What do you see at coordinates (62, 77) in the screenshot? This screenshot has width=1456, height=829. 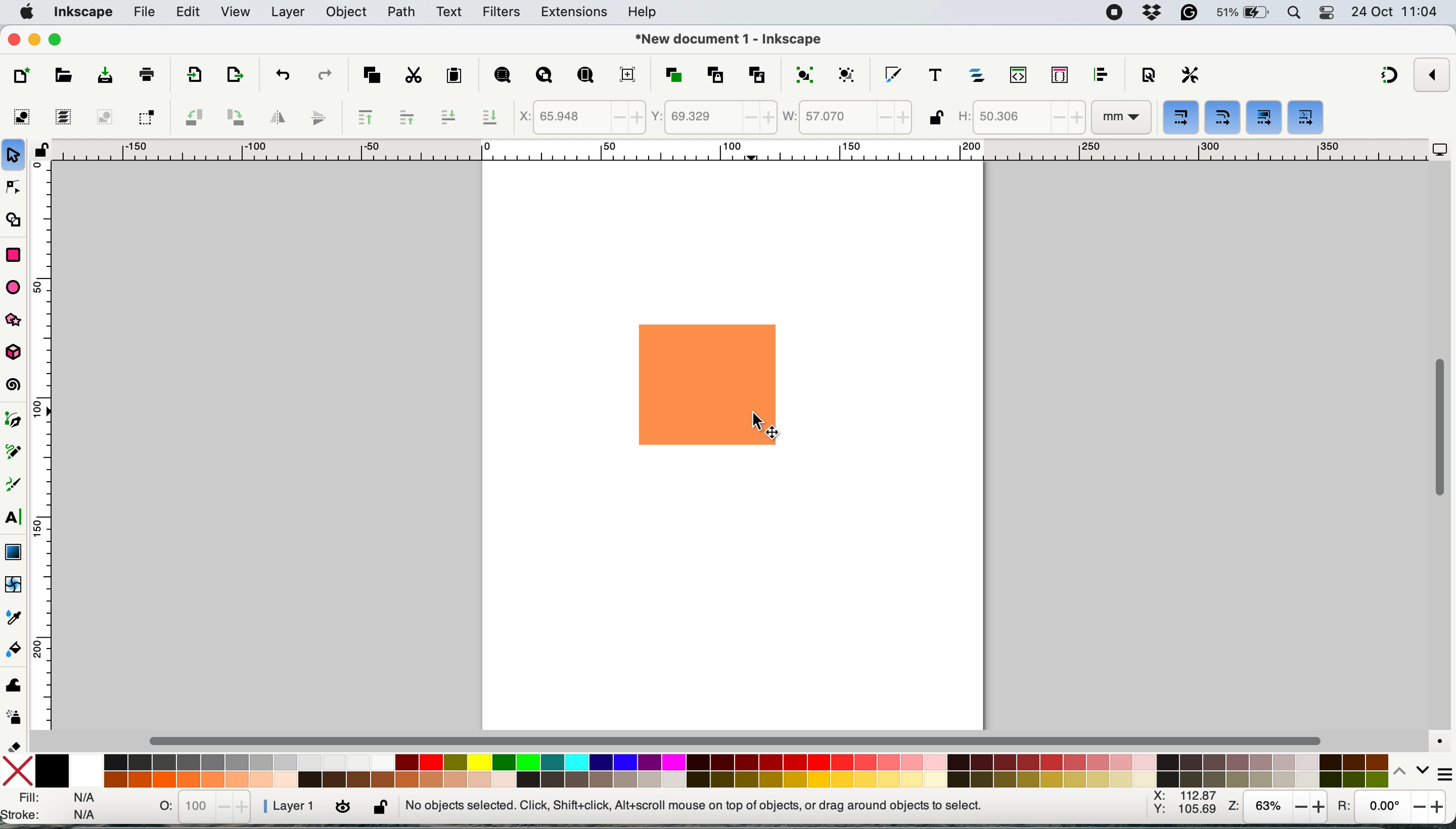 I see `open` at bounding box center [62, 77].